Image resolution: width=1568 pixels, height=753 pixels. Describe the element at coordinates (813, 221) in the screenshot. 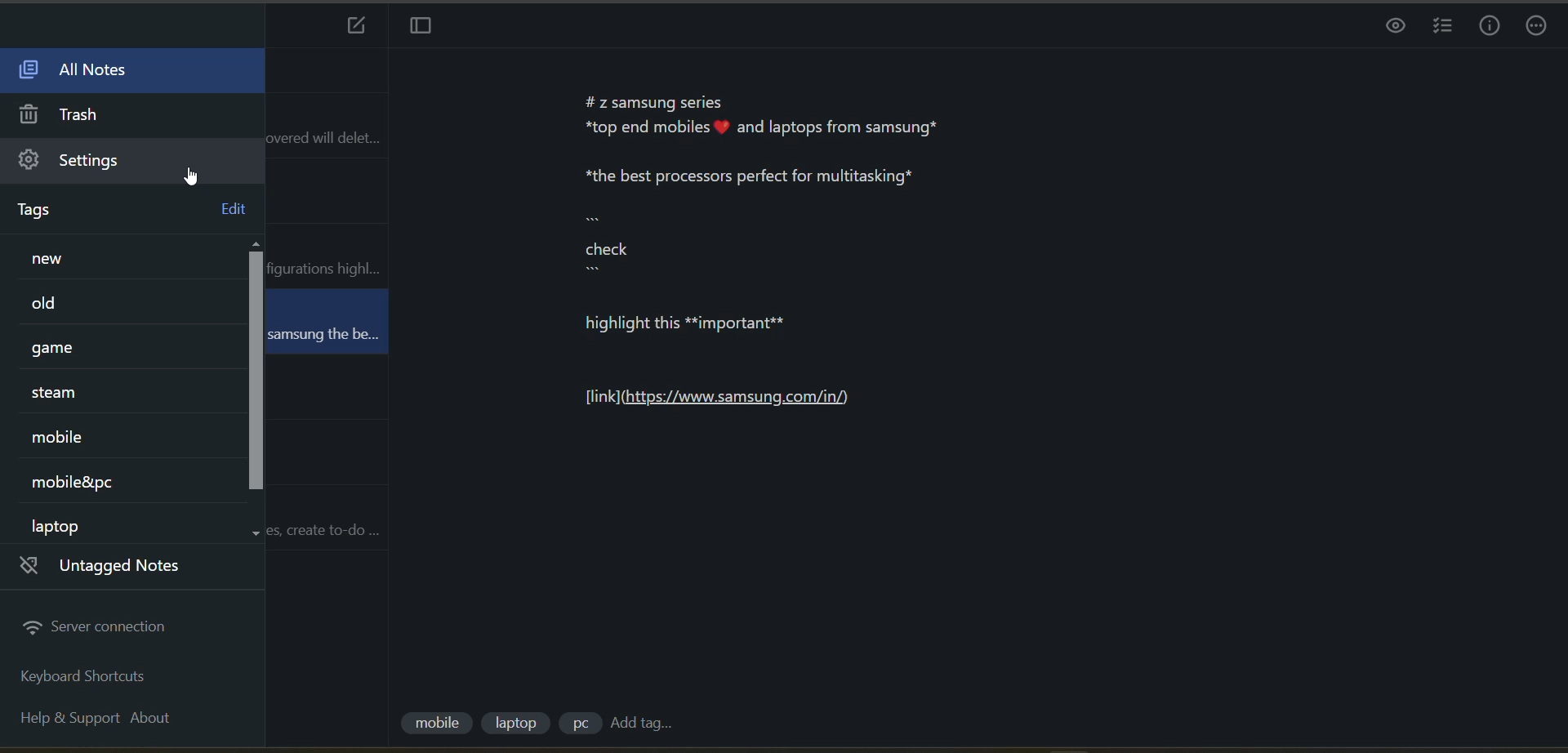

I see `data from current note` at that location.